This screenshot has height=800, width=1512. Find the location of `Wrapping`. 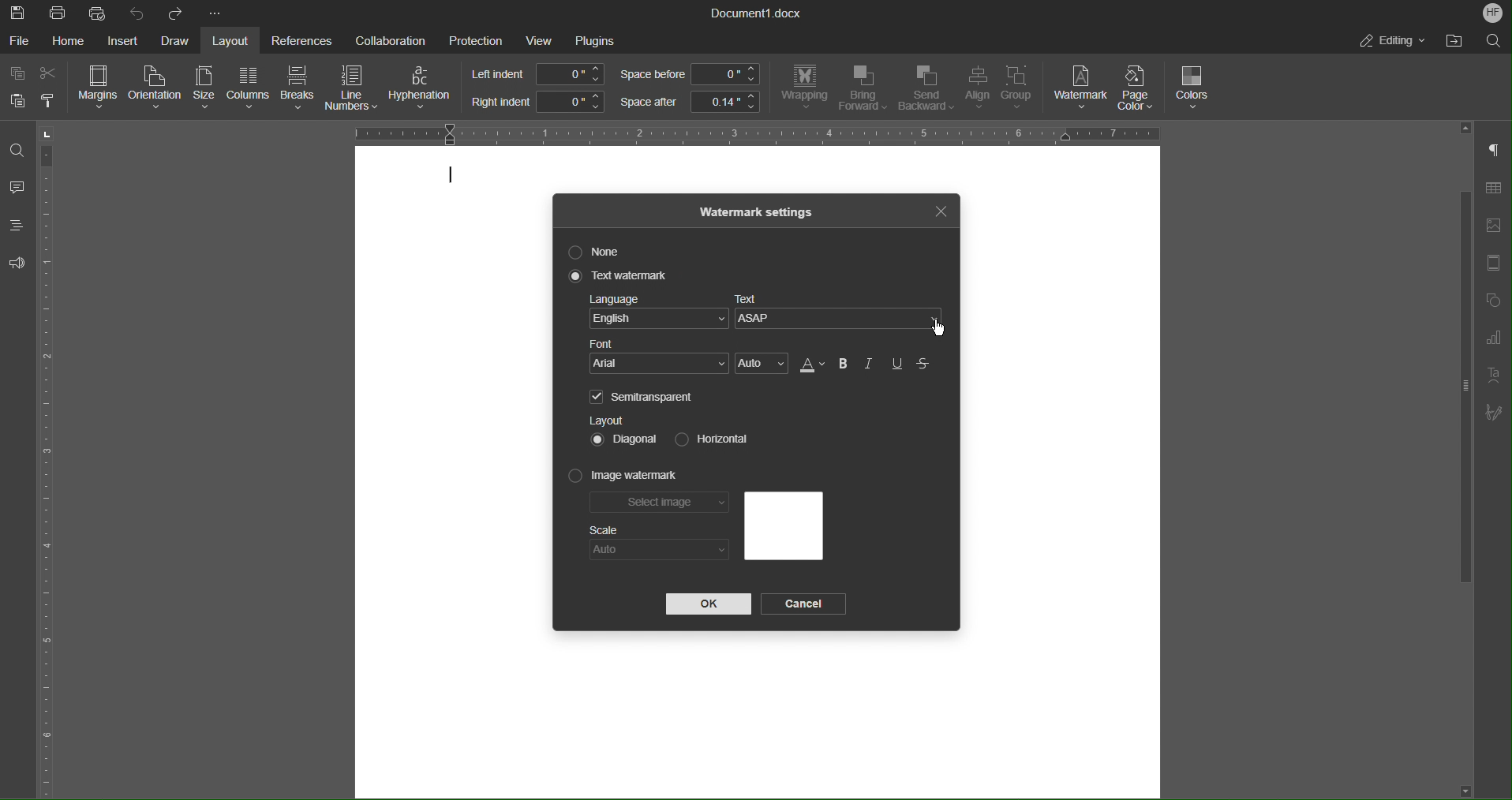

Wrapping is located at coordinates (804, 88).